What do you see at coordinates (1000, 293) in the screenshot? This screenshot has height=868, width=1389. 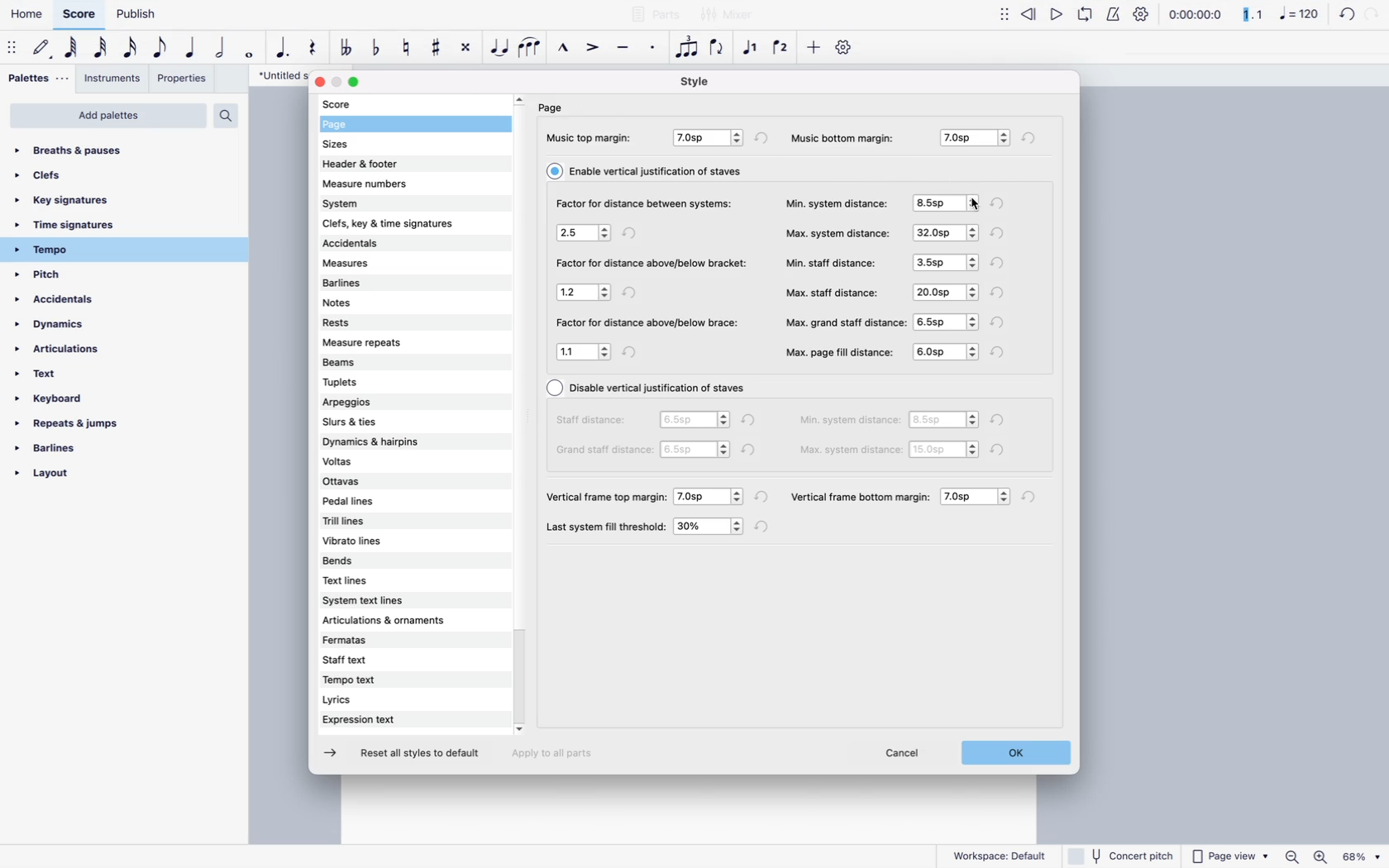 I see `refresh` at bounding box center [1000, 293].